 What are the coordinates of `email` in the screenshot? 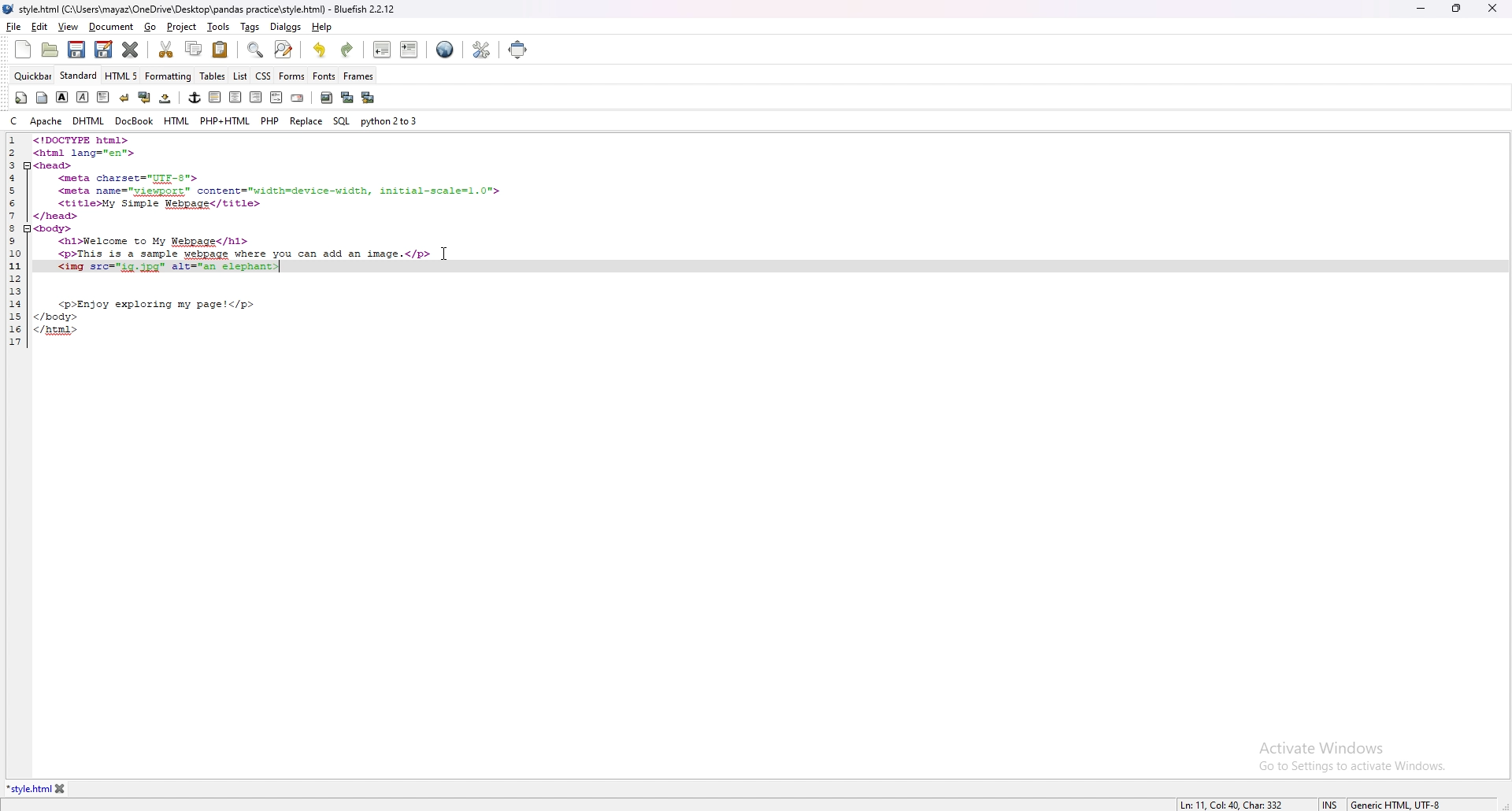 It's located at (299, 98).